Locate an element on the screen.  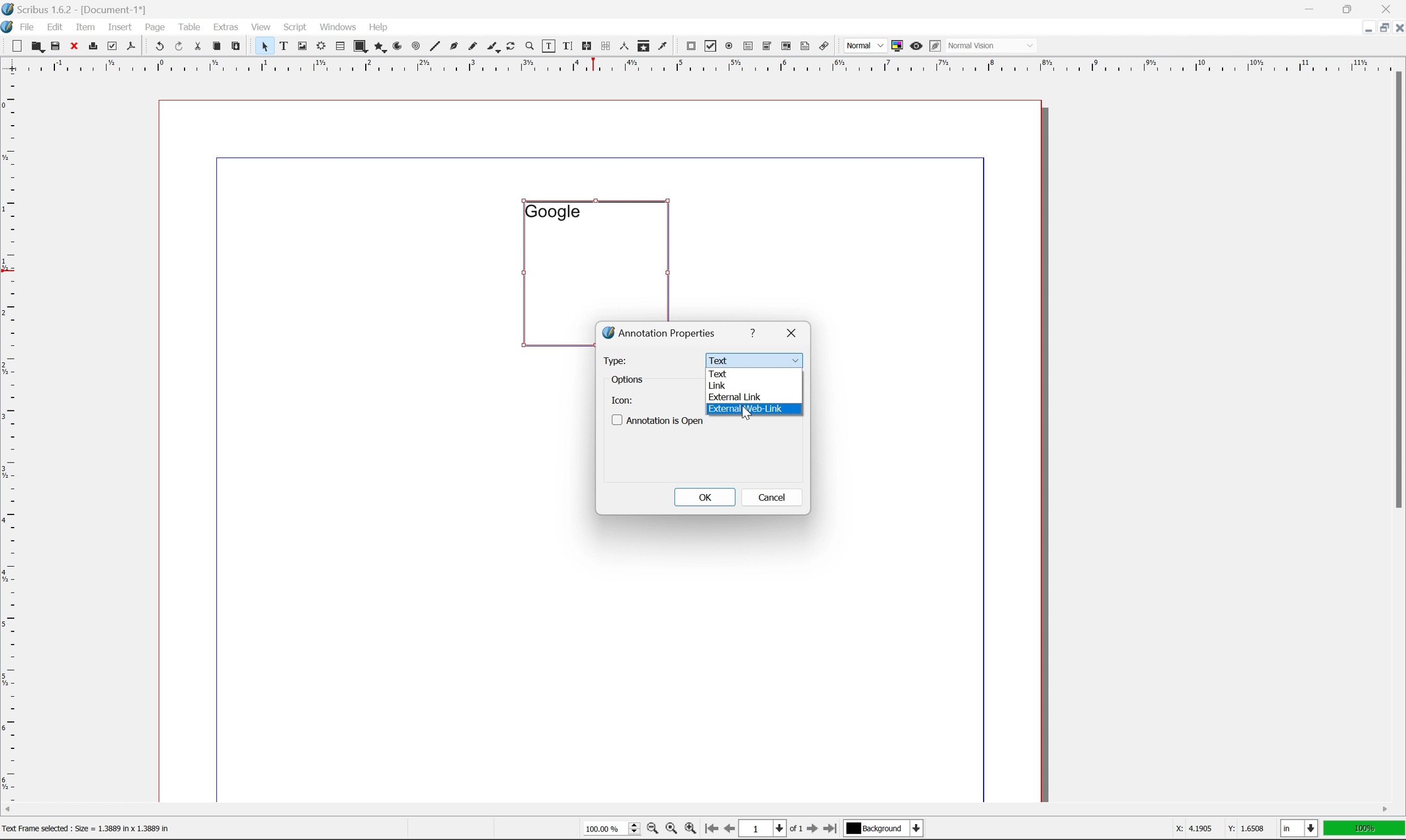
calligraphy line is located at coordinates (493, 45).